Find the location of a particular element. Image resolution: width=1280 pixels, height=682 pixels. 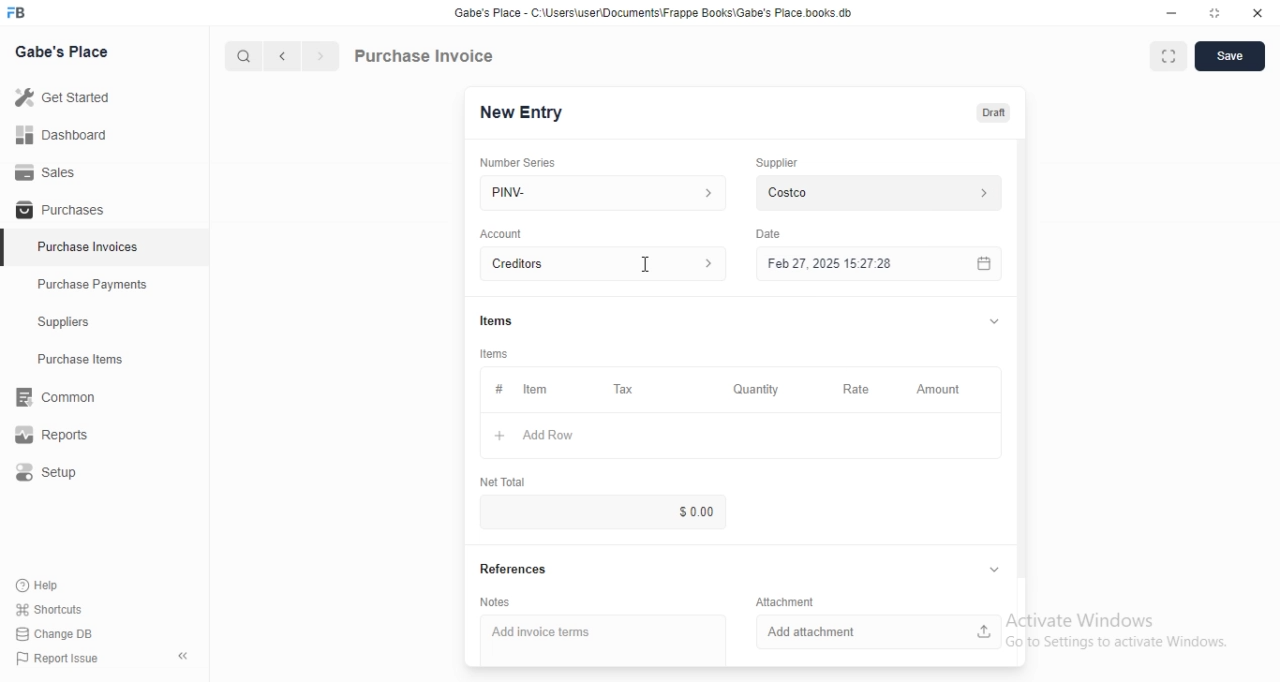

Purchases is located at coordinates (104, 208).